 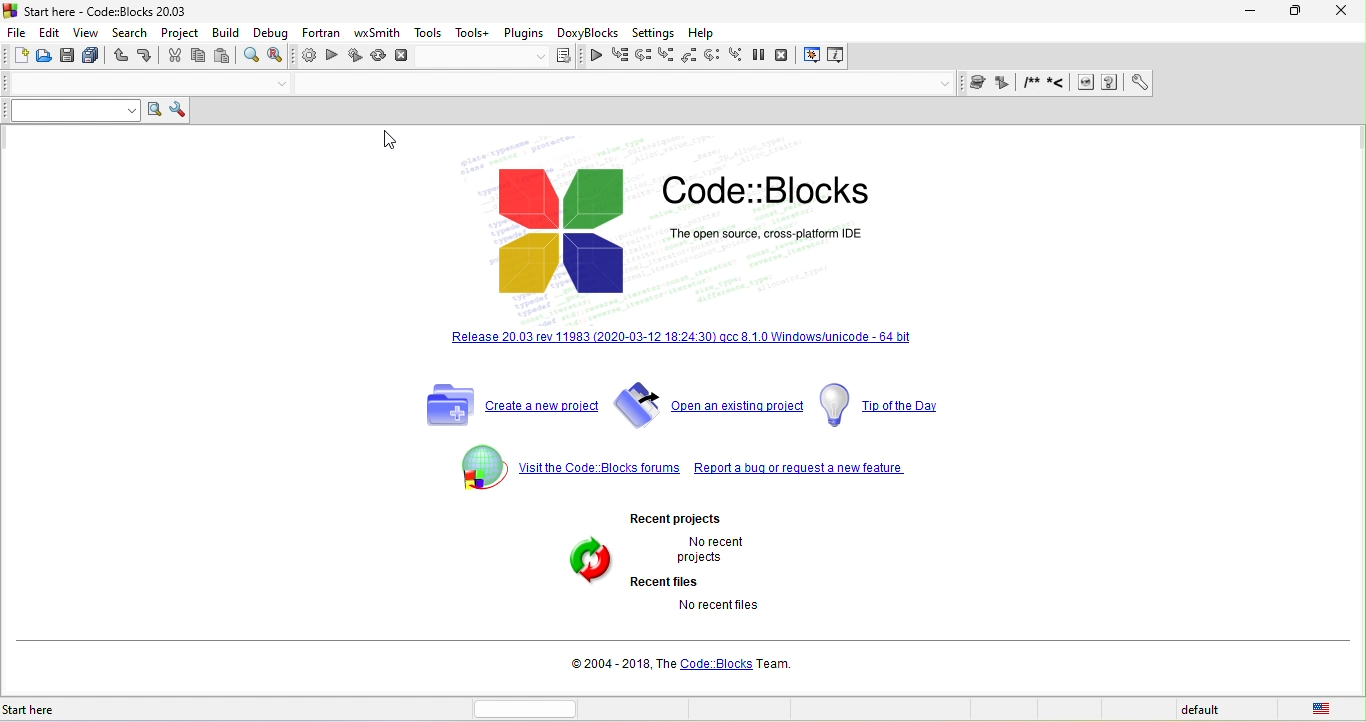 I want to click on recent projects, so click(x=679, y=518).